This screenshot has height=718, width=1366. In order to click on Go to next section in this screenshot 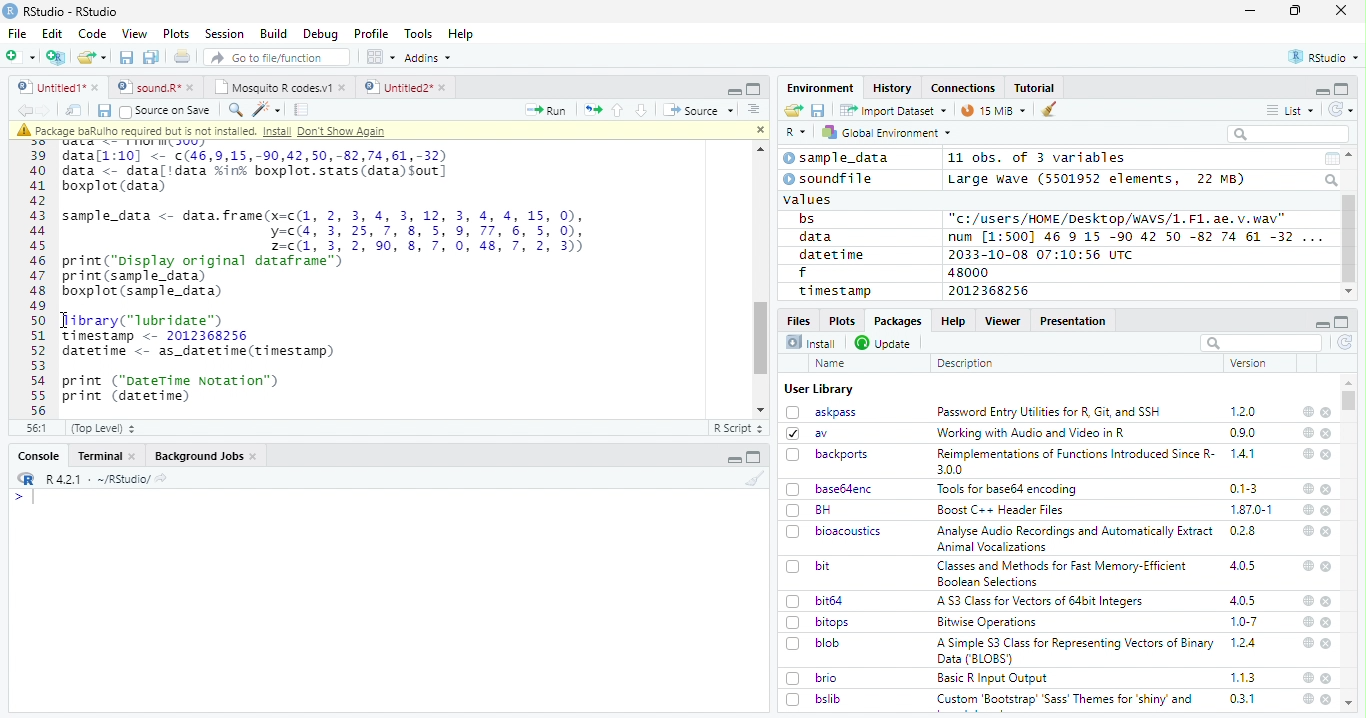, I will do `click(644, 110)`.